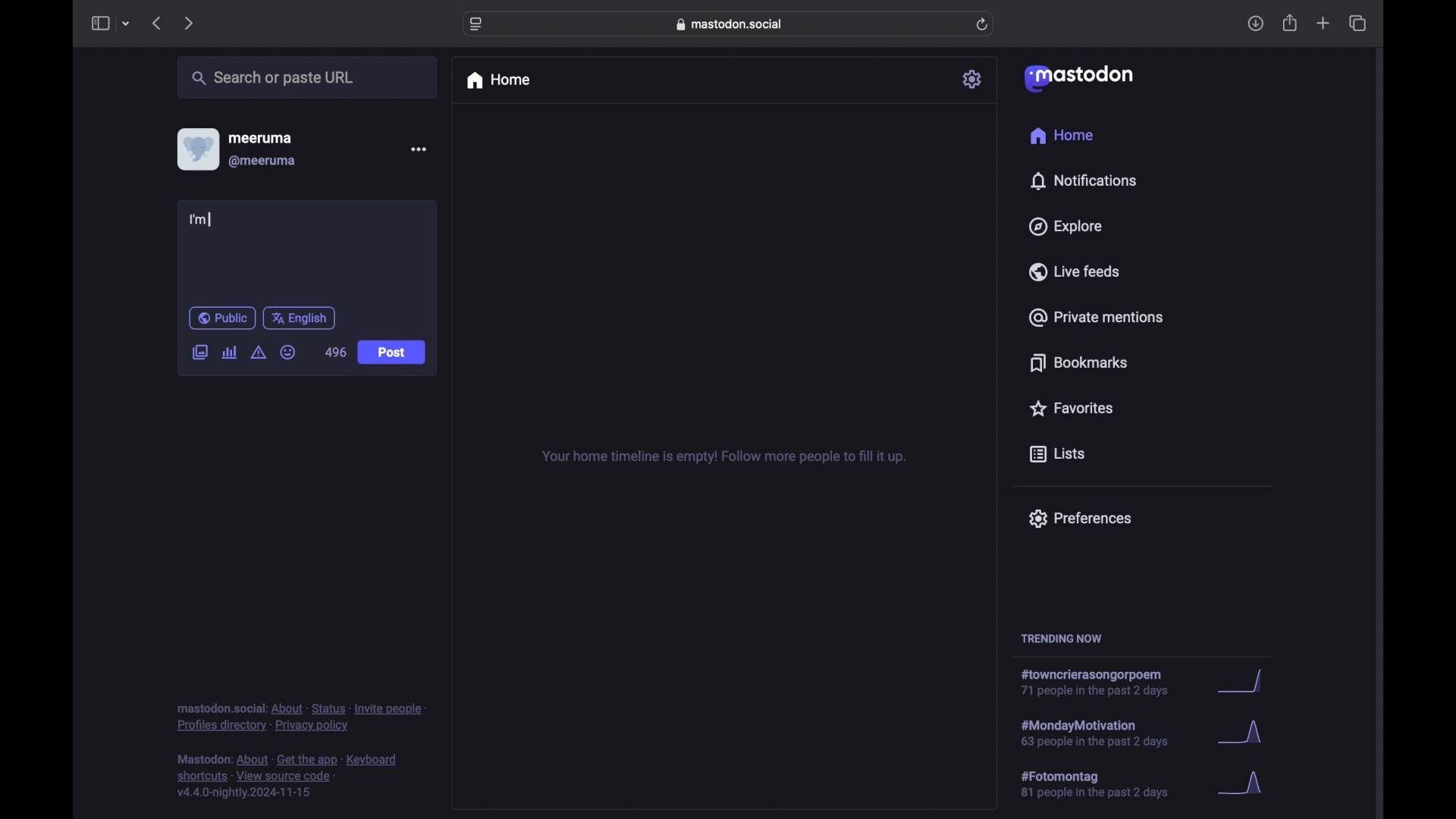  Describe the element at coordinates (1066, 227) in the screenshot. I see `explore` at that location.